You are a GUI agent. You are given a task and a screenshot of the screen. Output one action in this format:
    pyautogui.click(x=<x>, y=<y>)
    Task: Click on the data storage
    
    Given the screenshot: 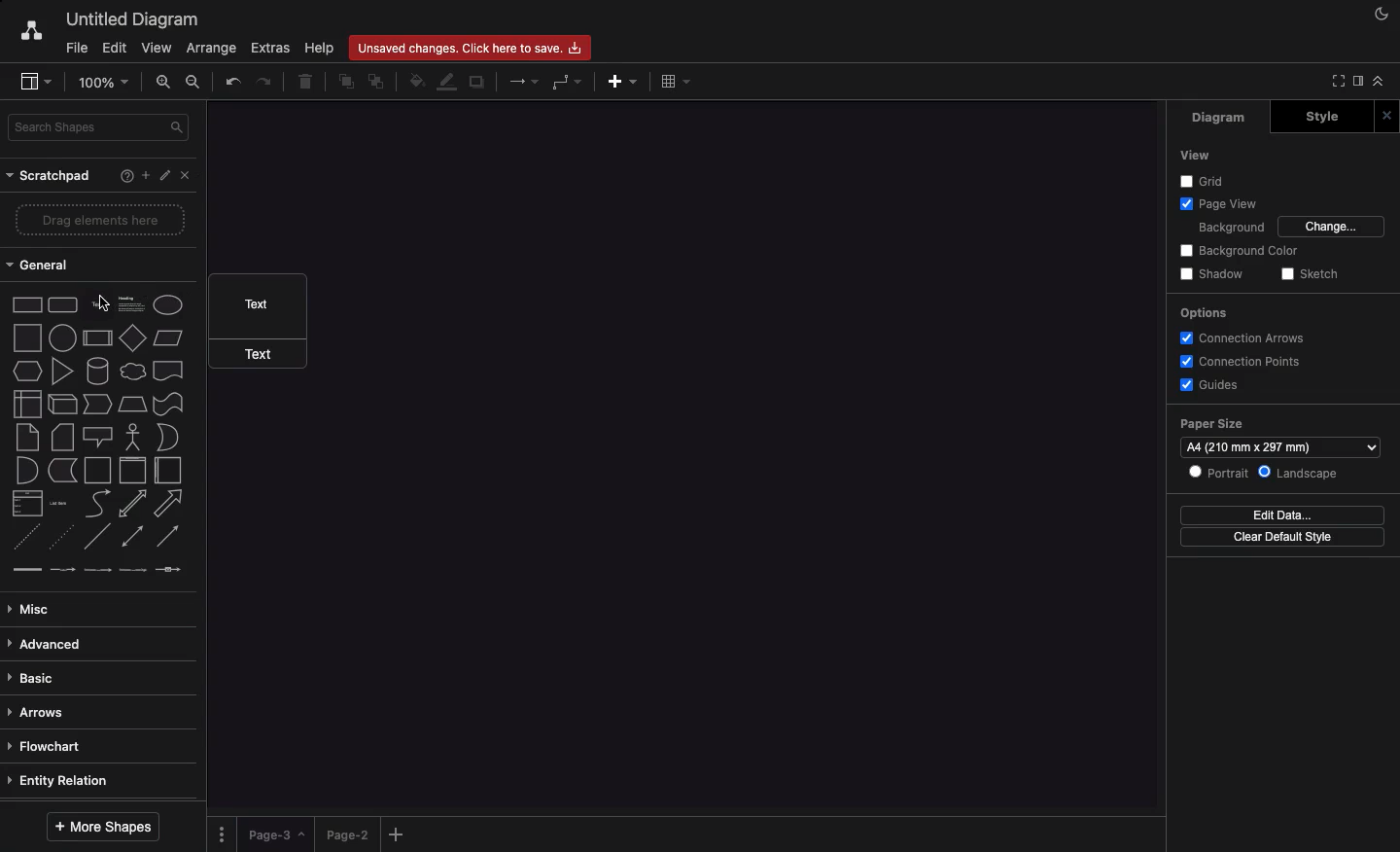 What is the action you would take?
    pyautogui.click(x=63, y=471)
    